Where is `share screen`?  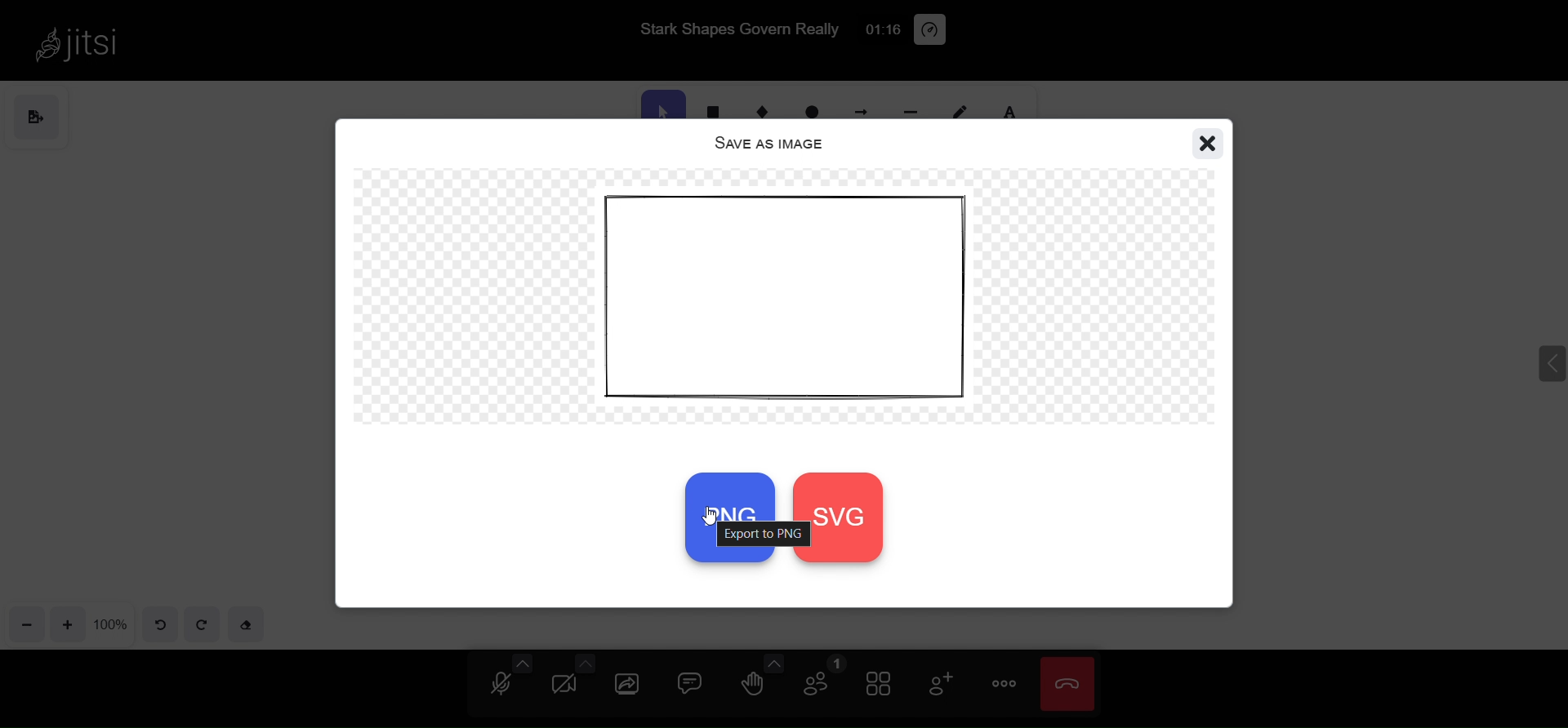
share screen is located at coordinates (626, 684).